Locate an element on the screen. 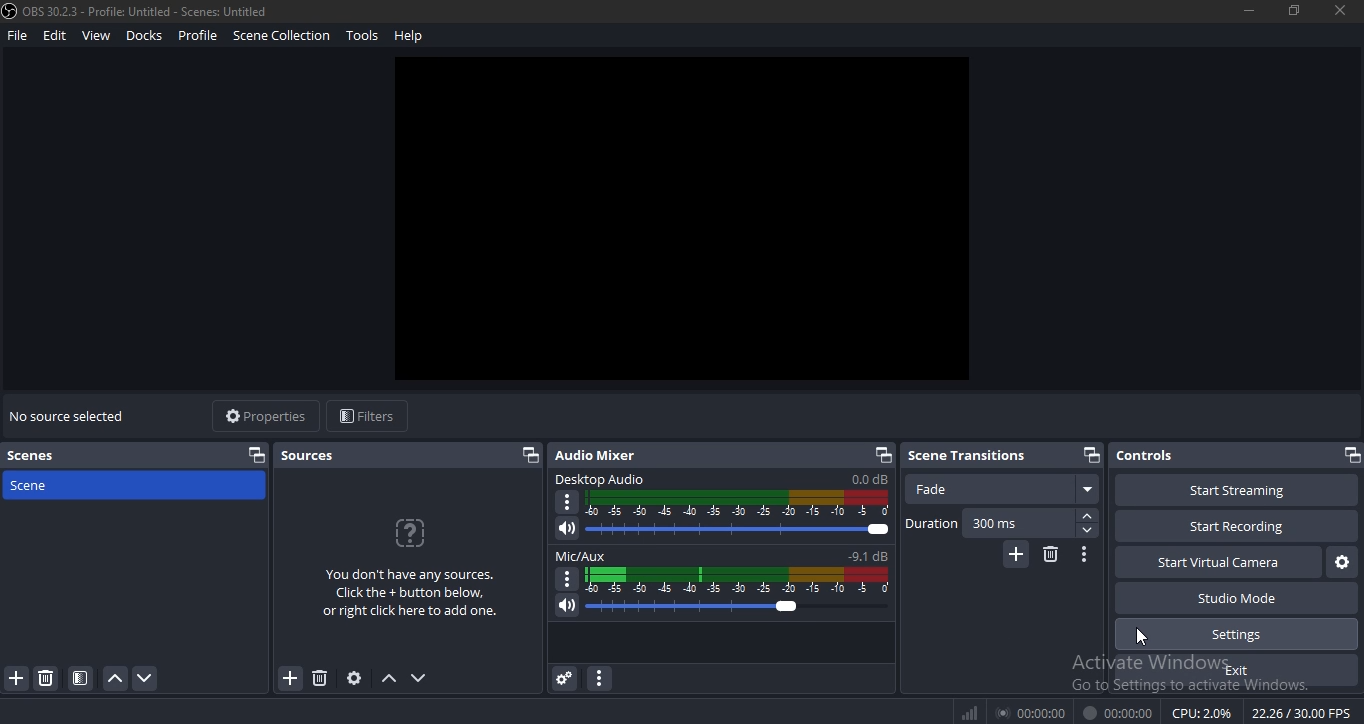 Image resolution: width=1364 pixels, height=724 pixels. fade is located at coordinates (1004, 489).